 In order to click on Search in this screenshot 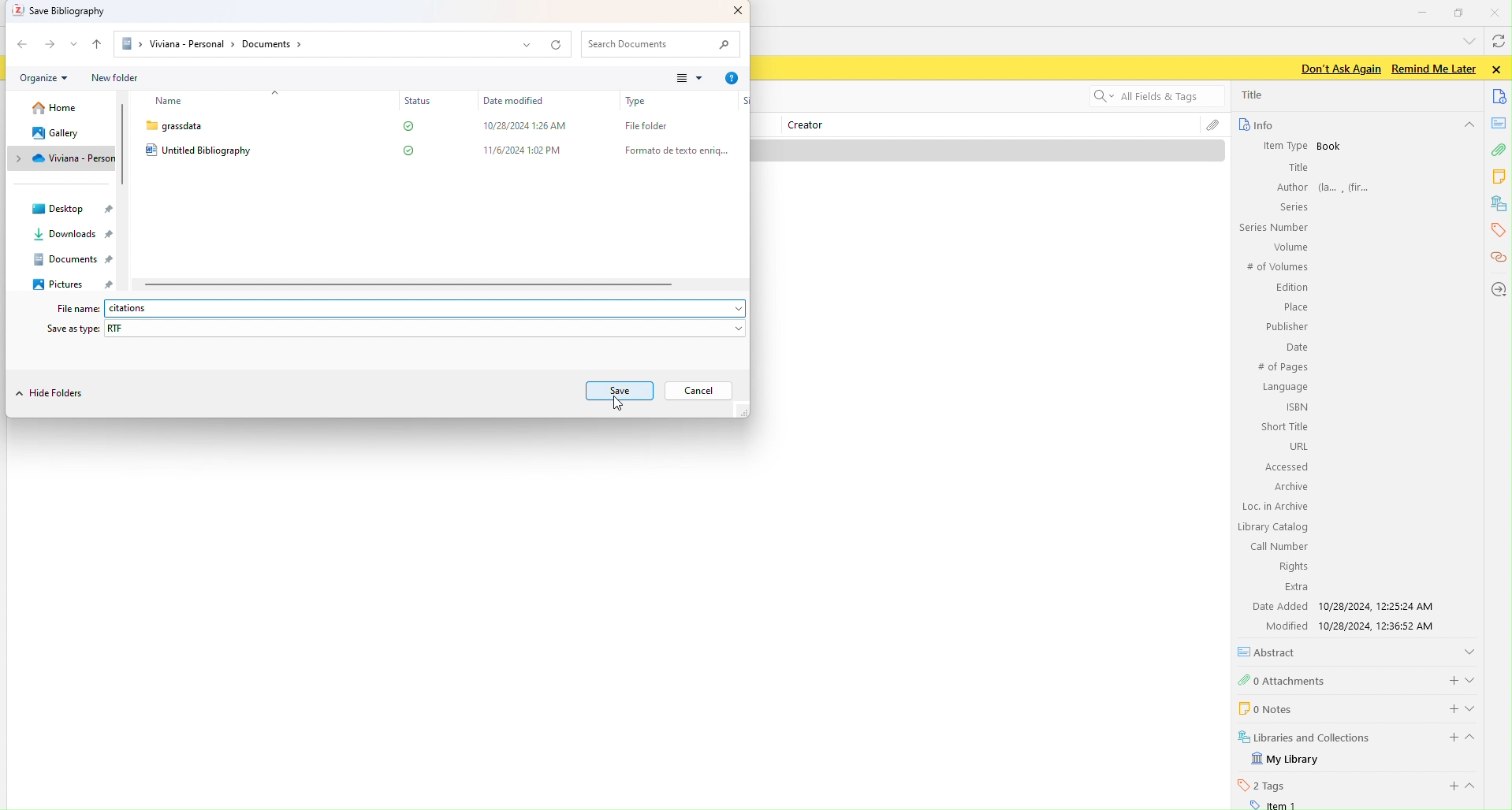, I will do `click(662, 45)`.